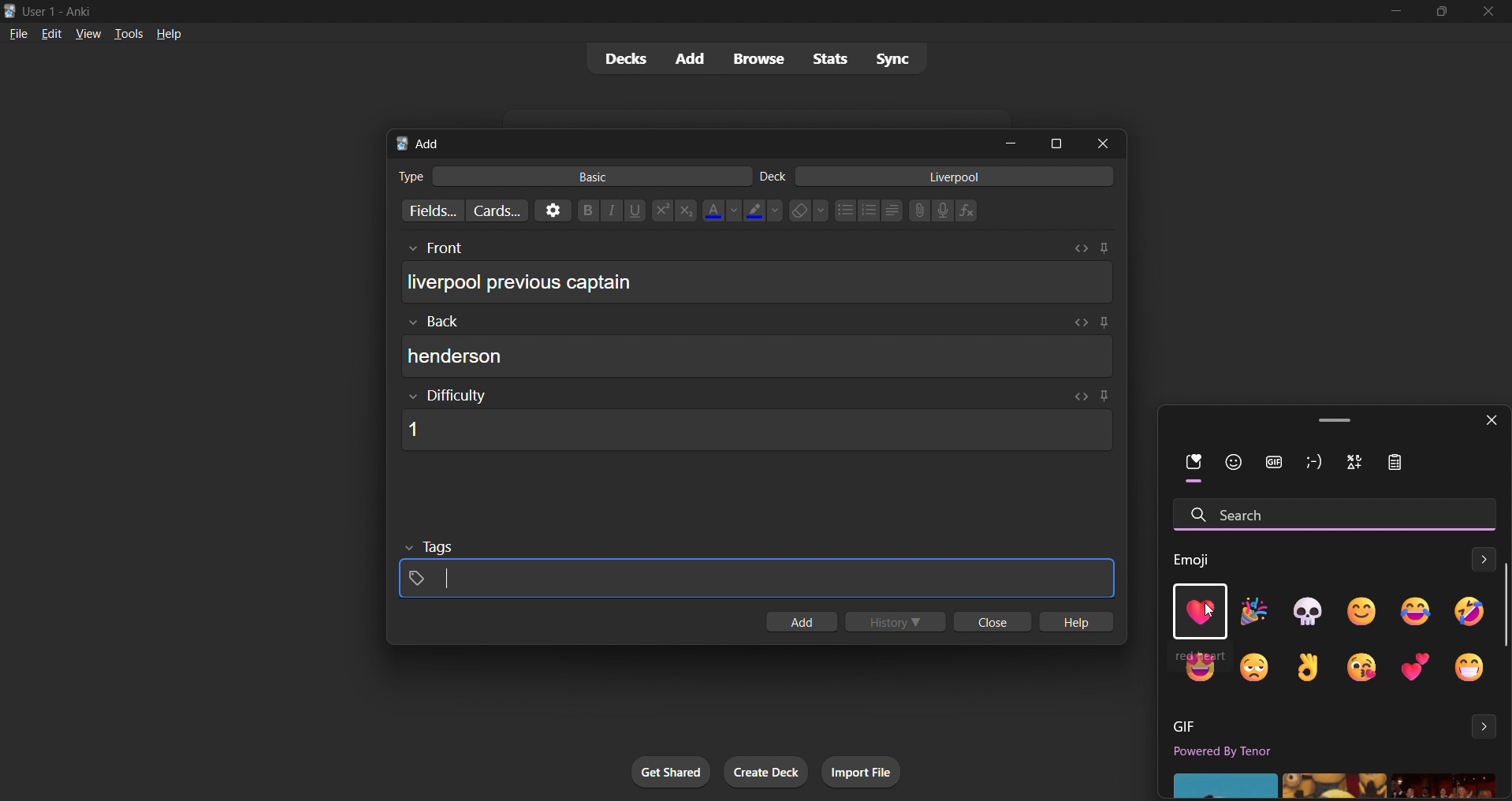 The height and width of the screenshot is (801, 1512). I want to click on expand, so click(1480, 564).